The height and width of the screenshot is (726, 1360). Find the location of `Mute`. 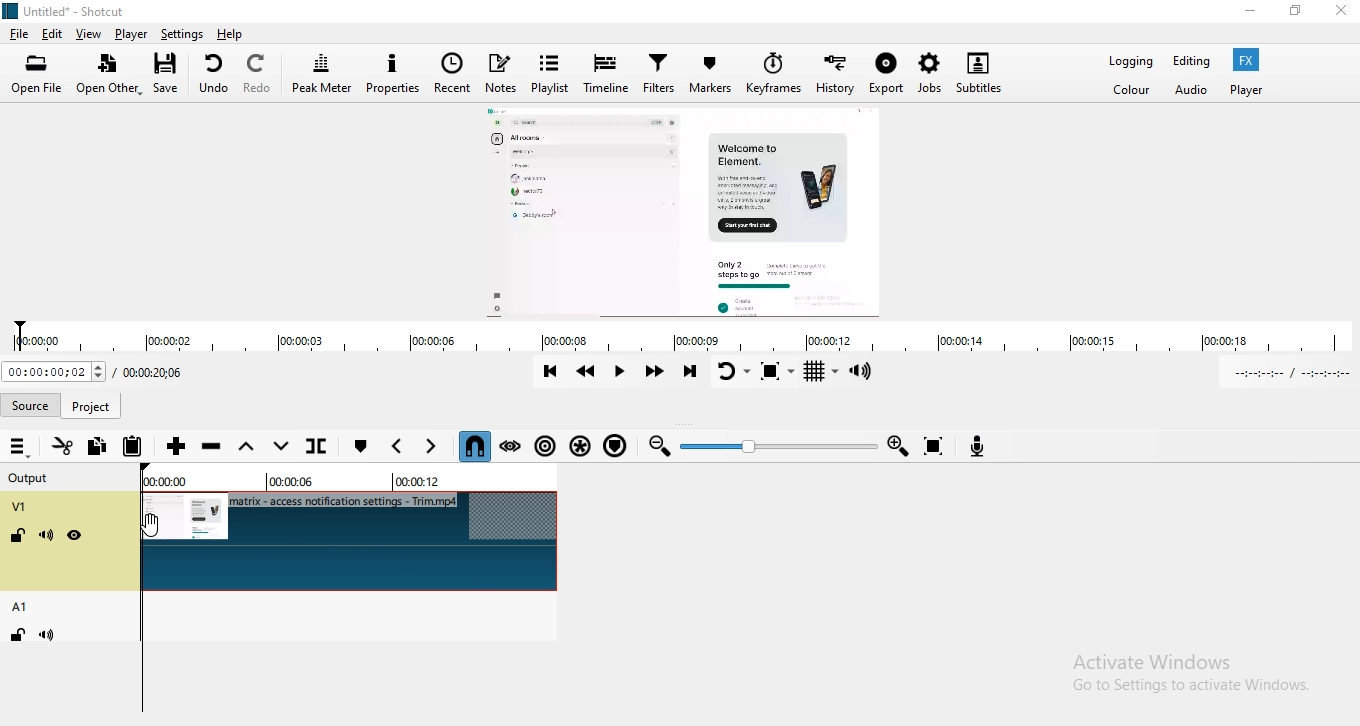

Mute is located at coordinates (46, 539).